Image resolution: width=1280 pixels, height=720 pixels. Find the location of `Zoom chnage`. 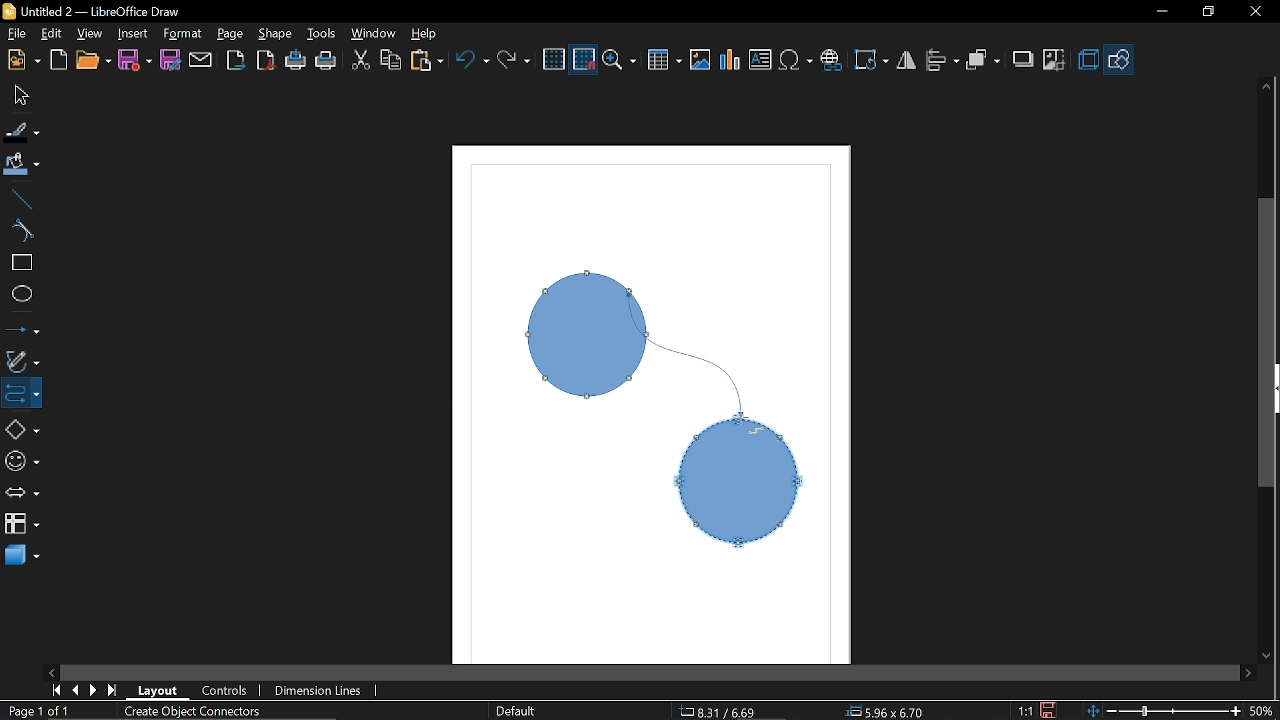

Zoom chnage is located at coordinates (1163, 711).